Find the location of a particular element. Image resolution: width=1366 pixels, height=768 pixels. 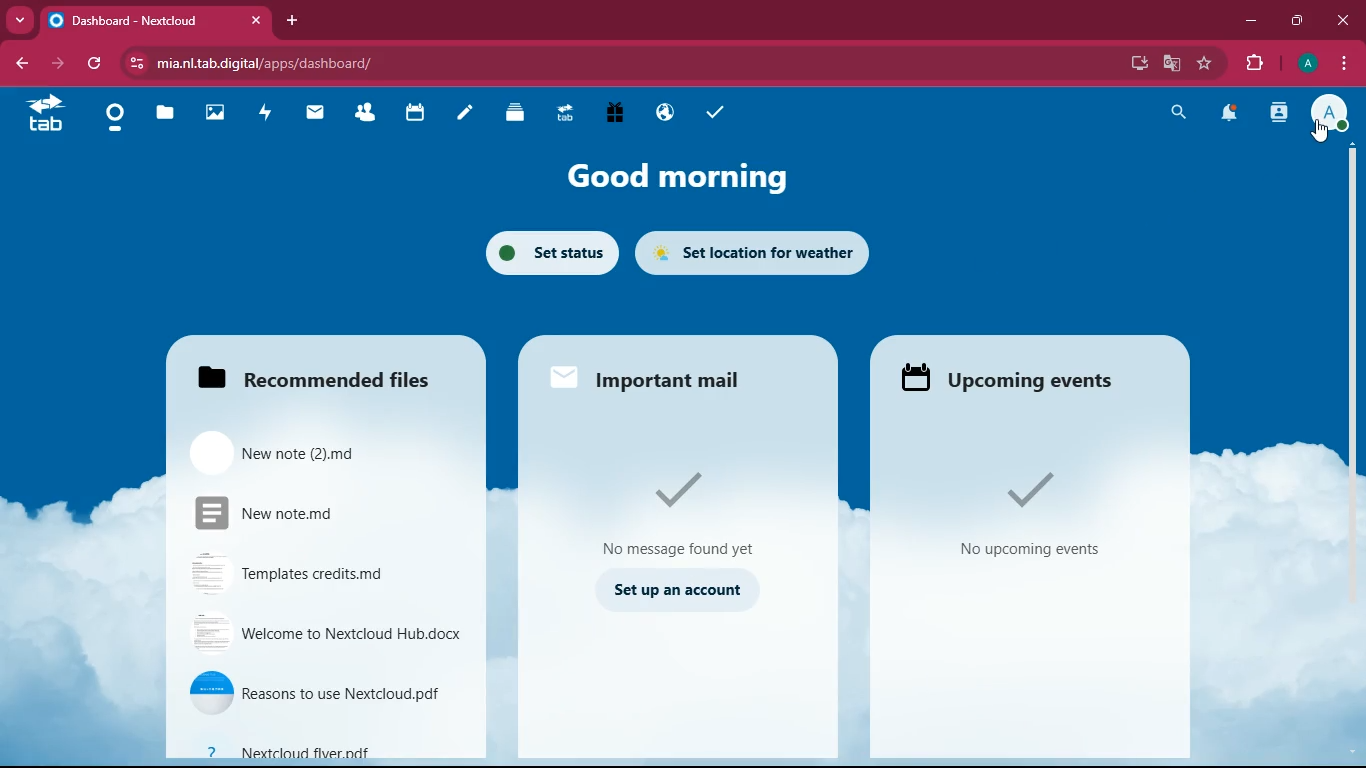

no upcoming events is located at coordinates (1043, 518).